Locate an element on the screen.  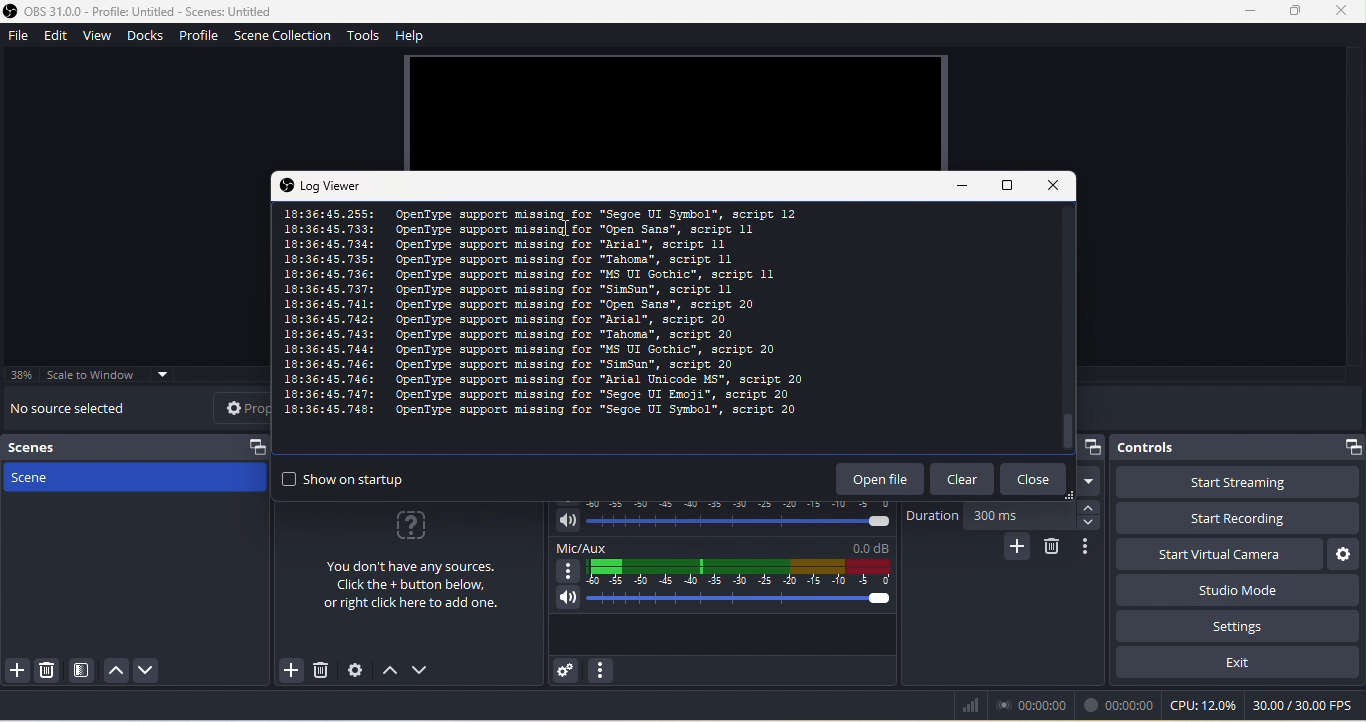
remove is located at coordinates (1057, 549).